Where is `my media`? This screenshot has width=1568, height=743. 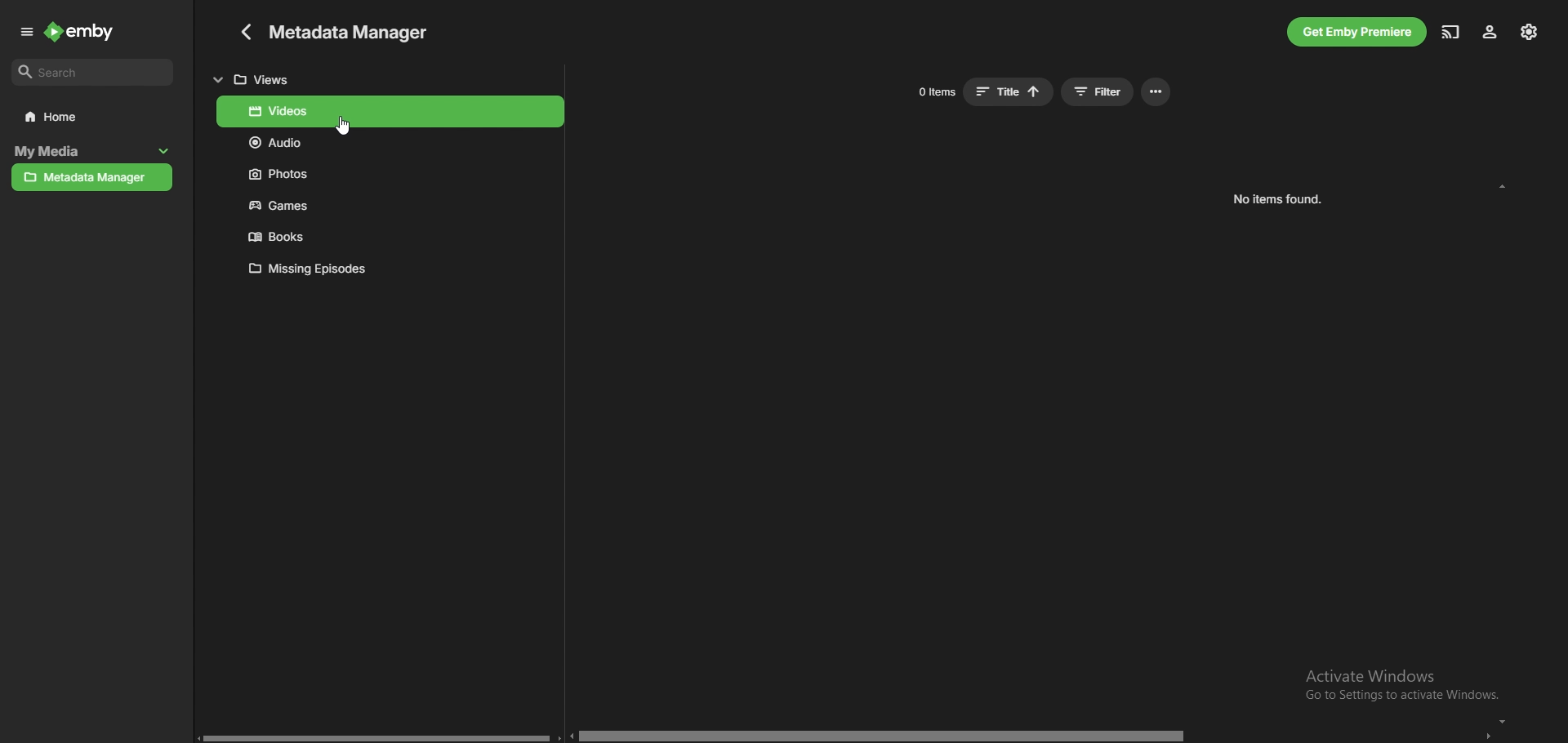 my media is located at coordinates (73, 152).